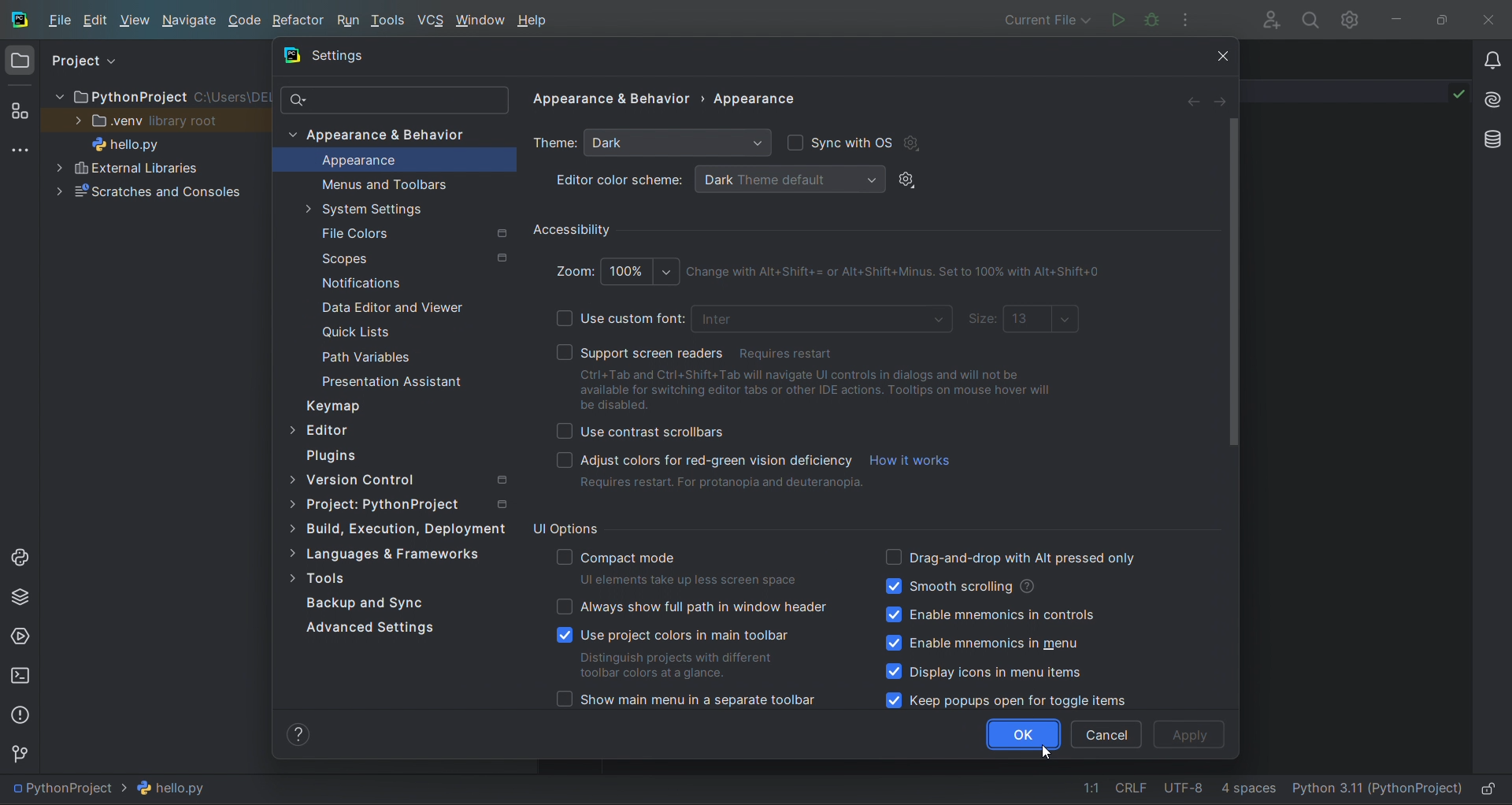  Describe the element at coordinates (1041, 757) in the screenshot. I see `cursor` at that location.